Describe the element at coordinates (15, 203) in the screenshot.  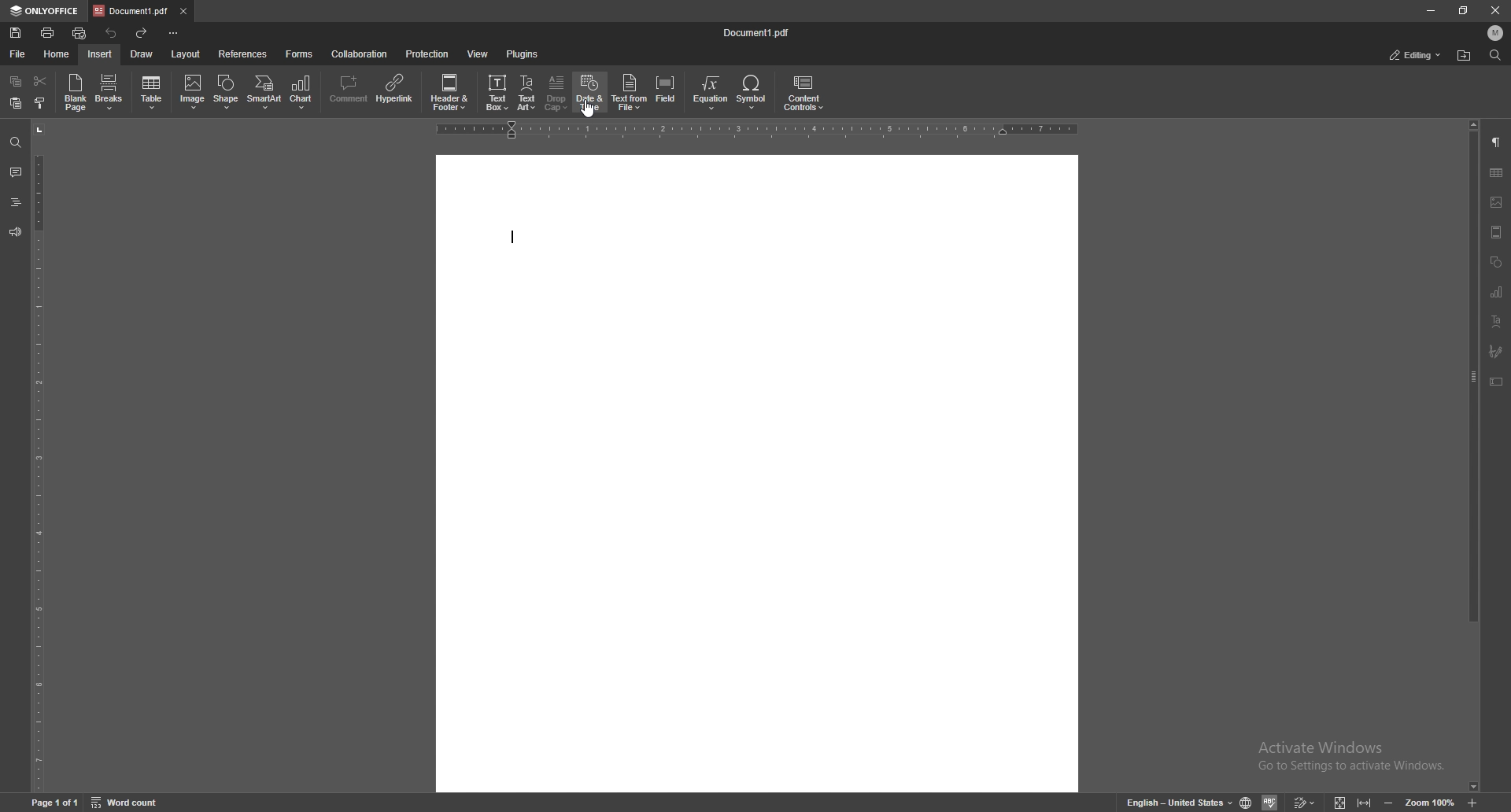
I see `heading` at that location.